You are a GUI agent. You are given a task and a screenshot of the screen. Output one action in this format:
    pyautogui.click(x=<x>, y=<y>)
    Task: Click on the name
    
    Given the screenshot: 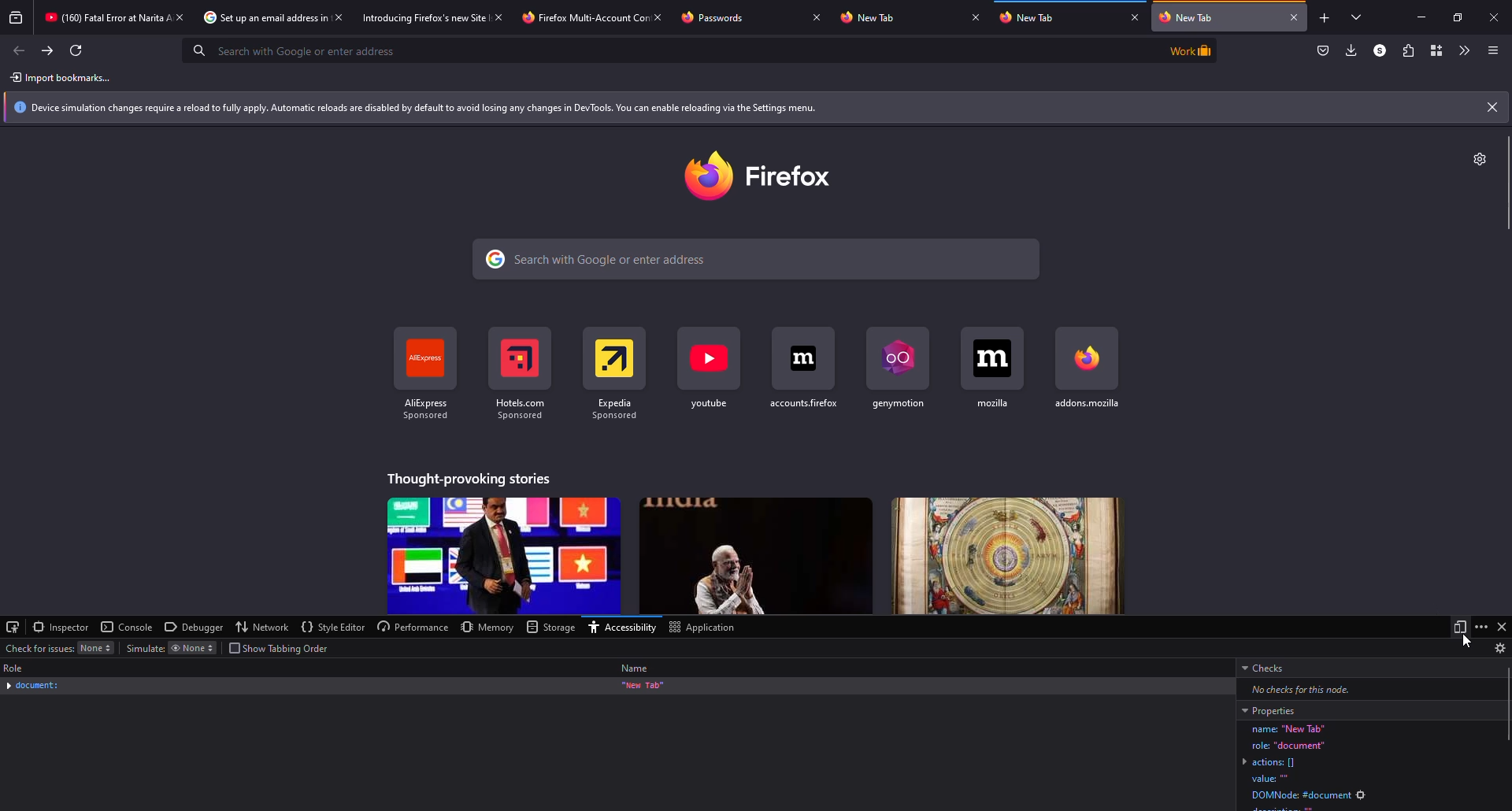 What is the action you would take?
    pyautogui.click(x=635, y=668)
    